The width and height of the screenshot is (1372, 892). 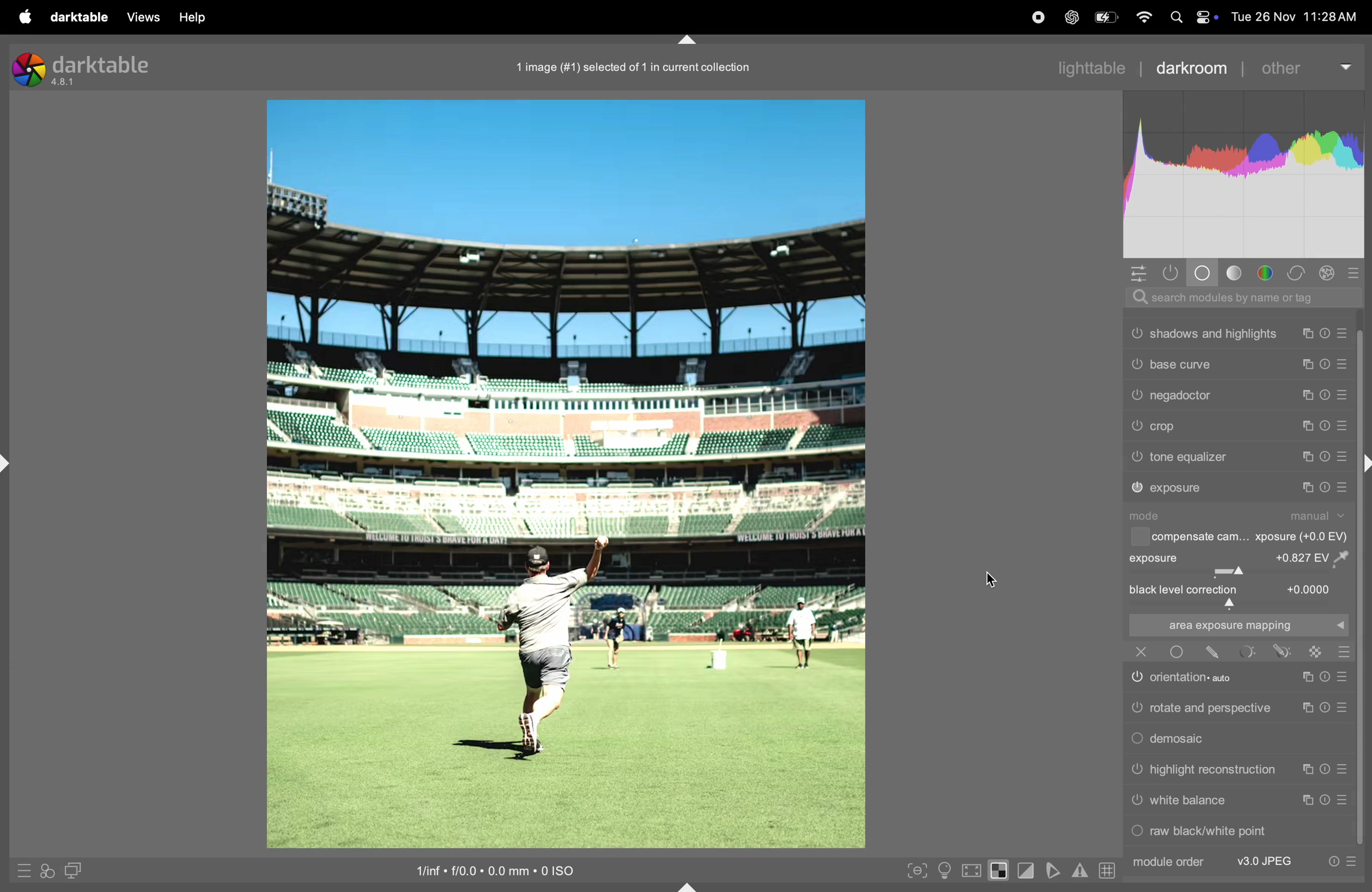 I want to click on Preset, so click(x=1342, y=677).